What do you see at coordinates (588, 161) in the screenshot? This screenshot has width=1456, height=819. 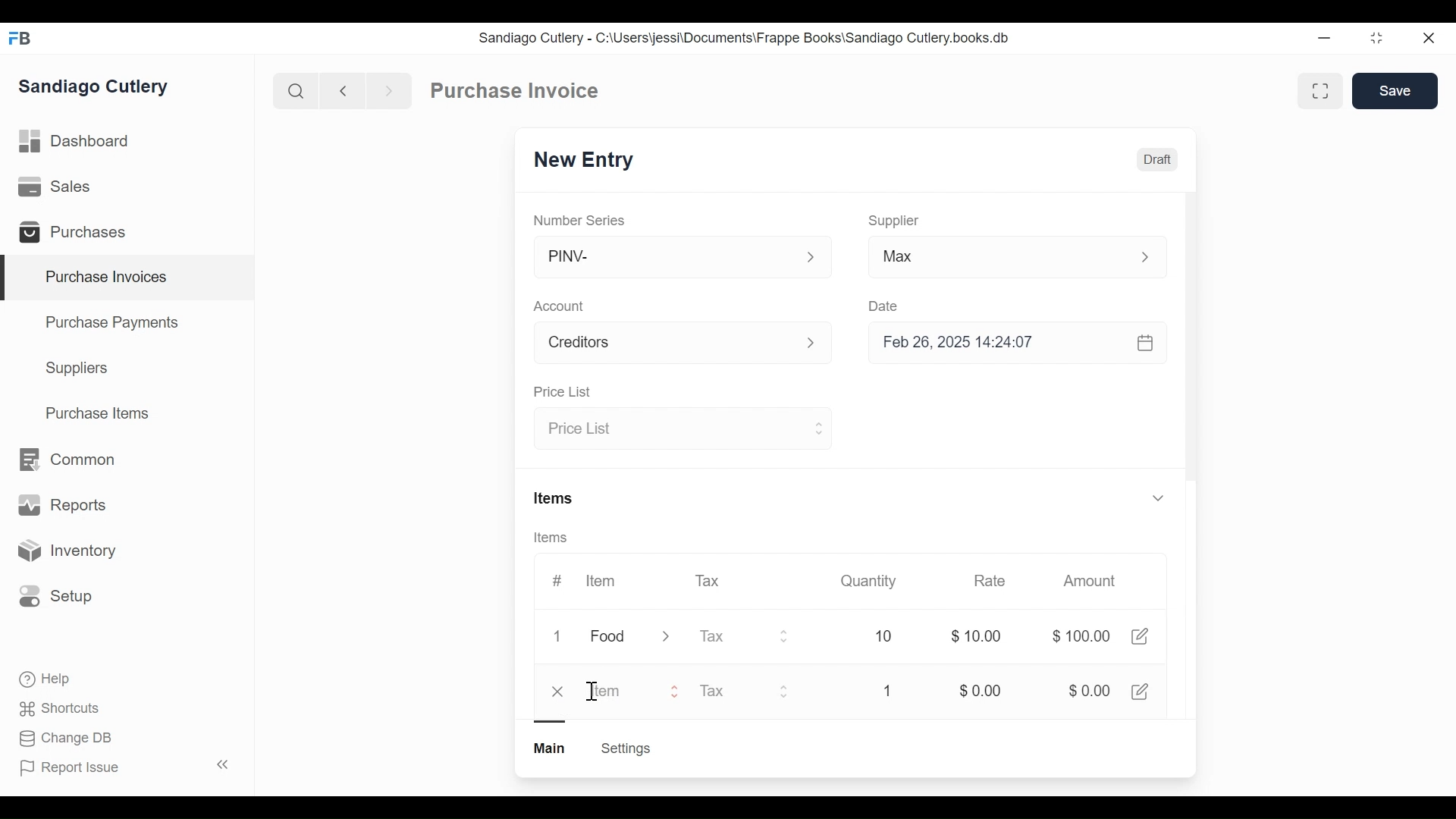 I see `New Entry` at bounding box center [588, 161].